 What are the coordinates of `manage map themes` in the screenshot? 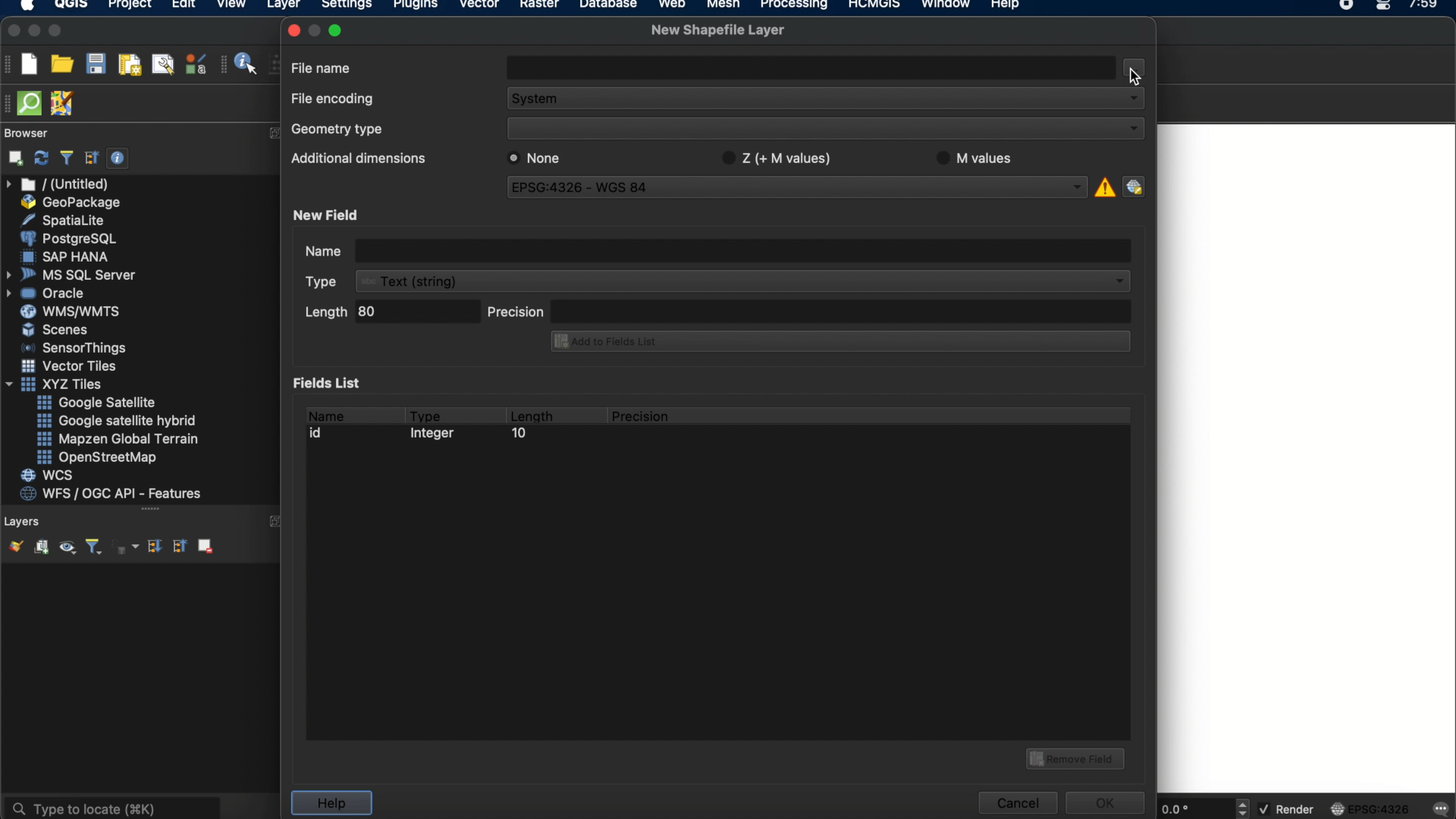 It's located at (66, 549).